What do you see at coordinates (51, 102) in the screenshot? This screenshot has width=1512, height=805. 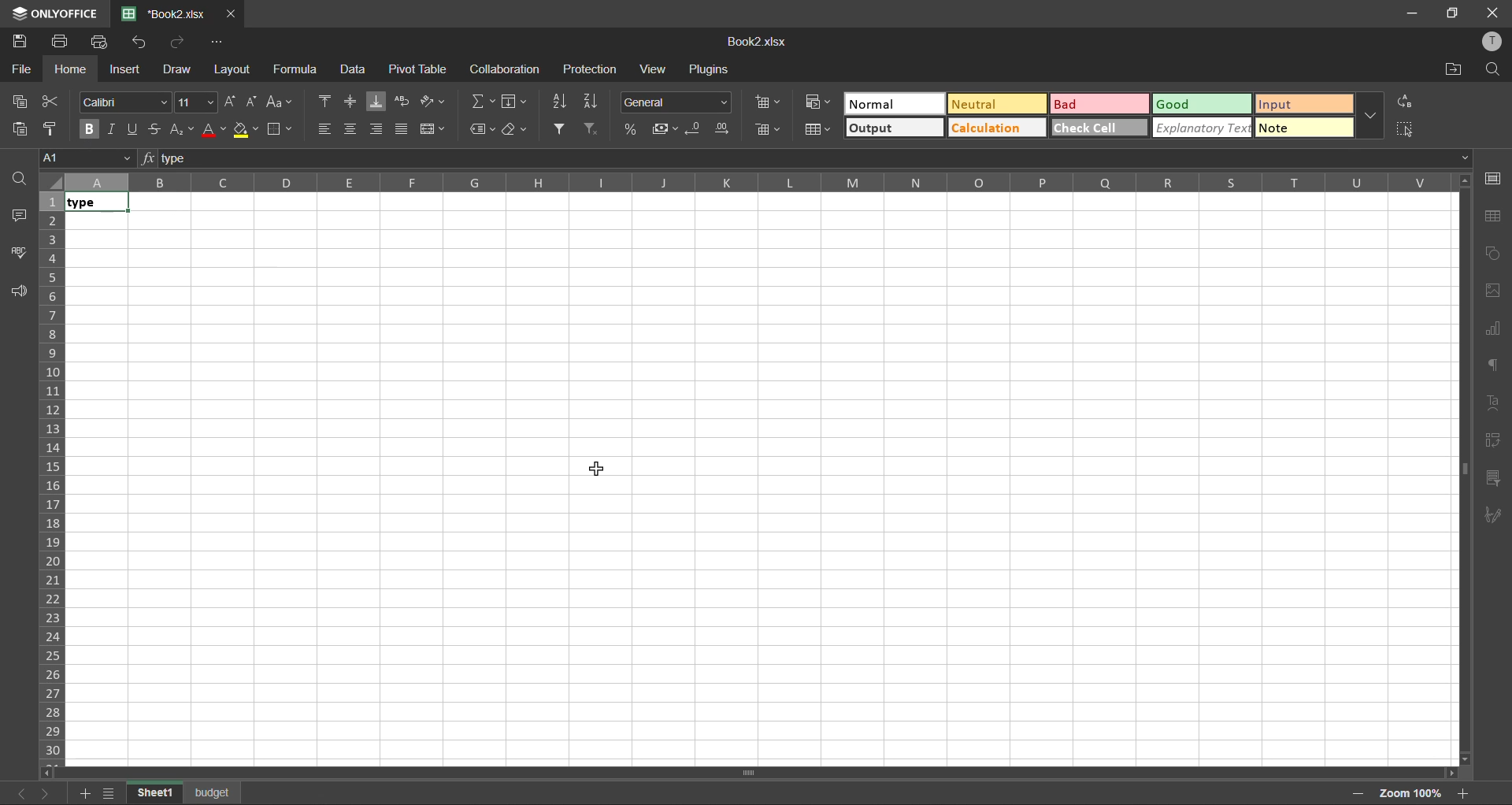 I see `cut` at bounding box center [51, 102].